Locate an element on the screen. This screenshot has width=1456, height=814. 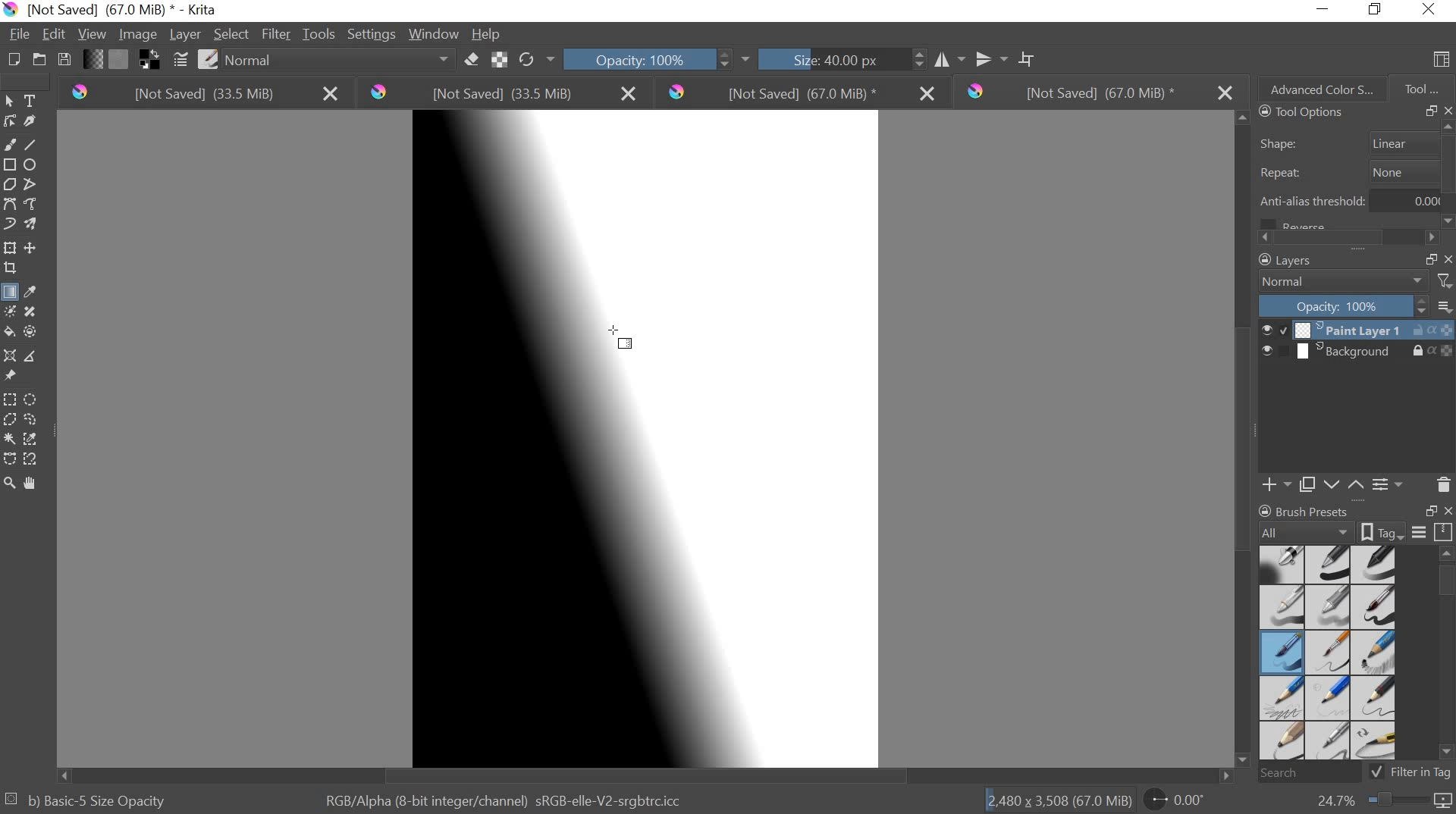
assistant tool is located at coordinates (9, 355).